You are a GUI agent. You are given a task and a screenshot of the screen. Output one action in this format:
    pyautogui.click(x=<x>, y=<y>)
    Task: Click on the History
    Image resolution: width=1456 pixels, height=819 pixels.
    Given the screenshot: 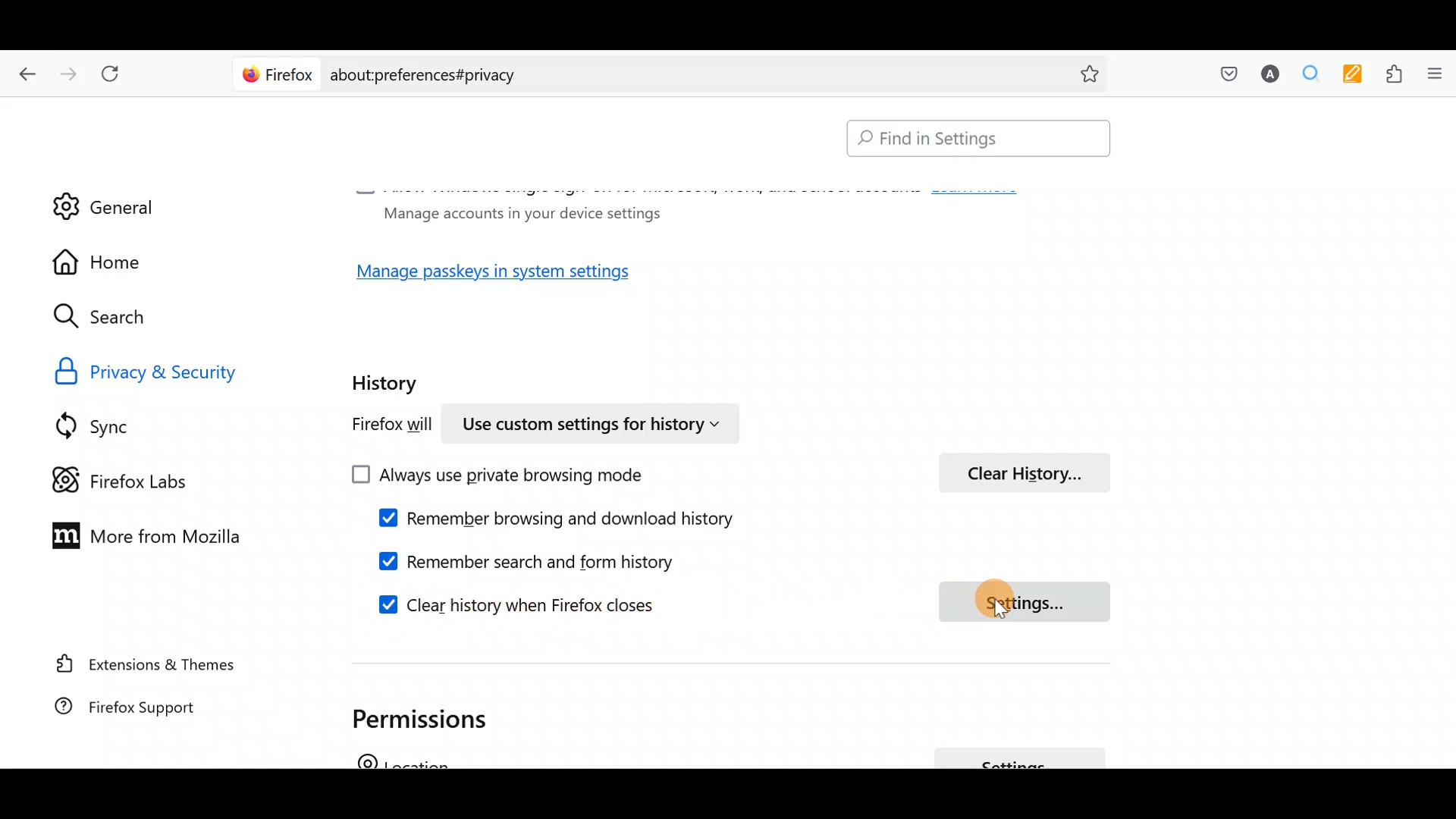 What is the action you would take?
    pyautogui.click(x=388, y=378)
    